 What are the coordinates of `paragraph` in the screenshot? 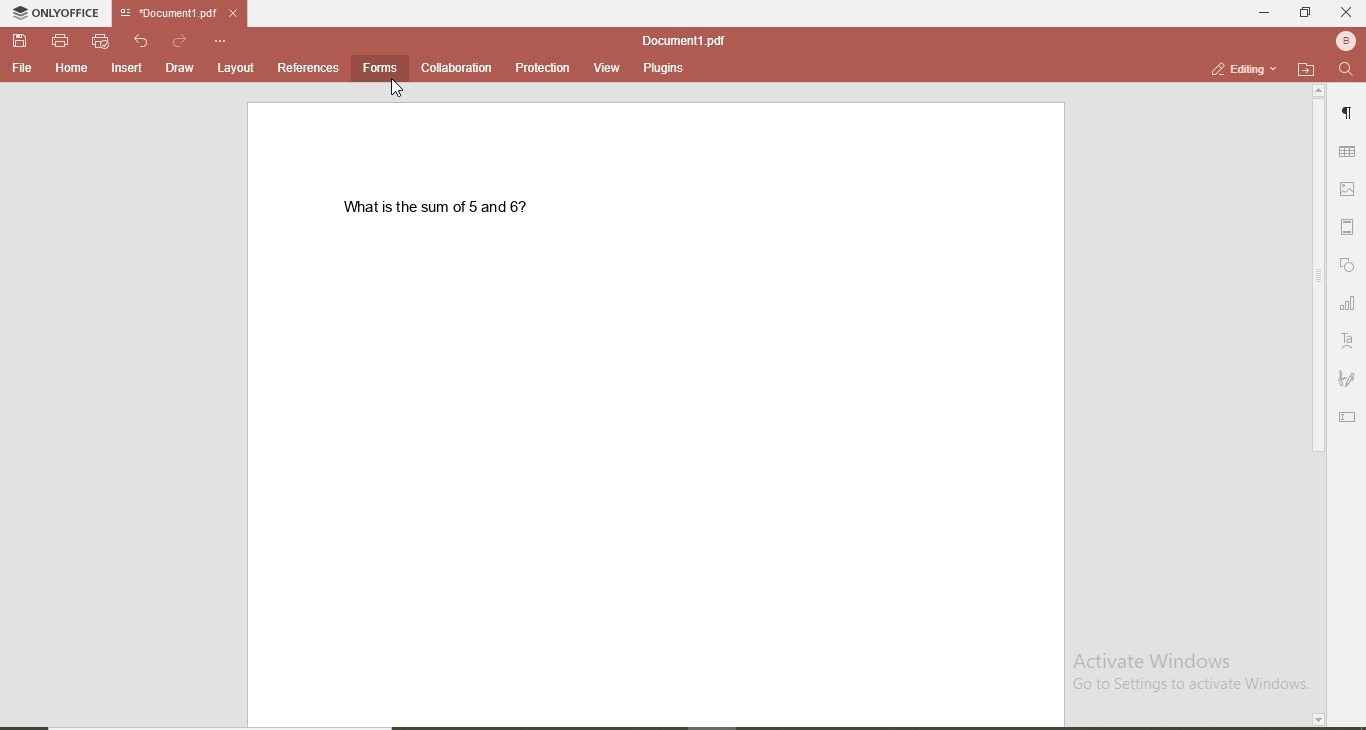 It's located at (1349, 112).